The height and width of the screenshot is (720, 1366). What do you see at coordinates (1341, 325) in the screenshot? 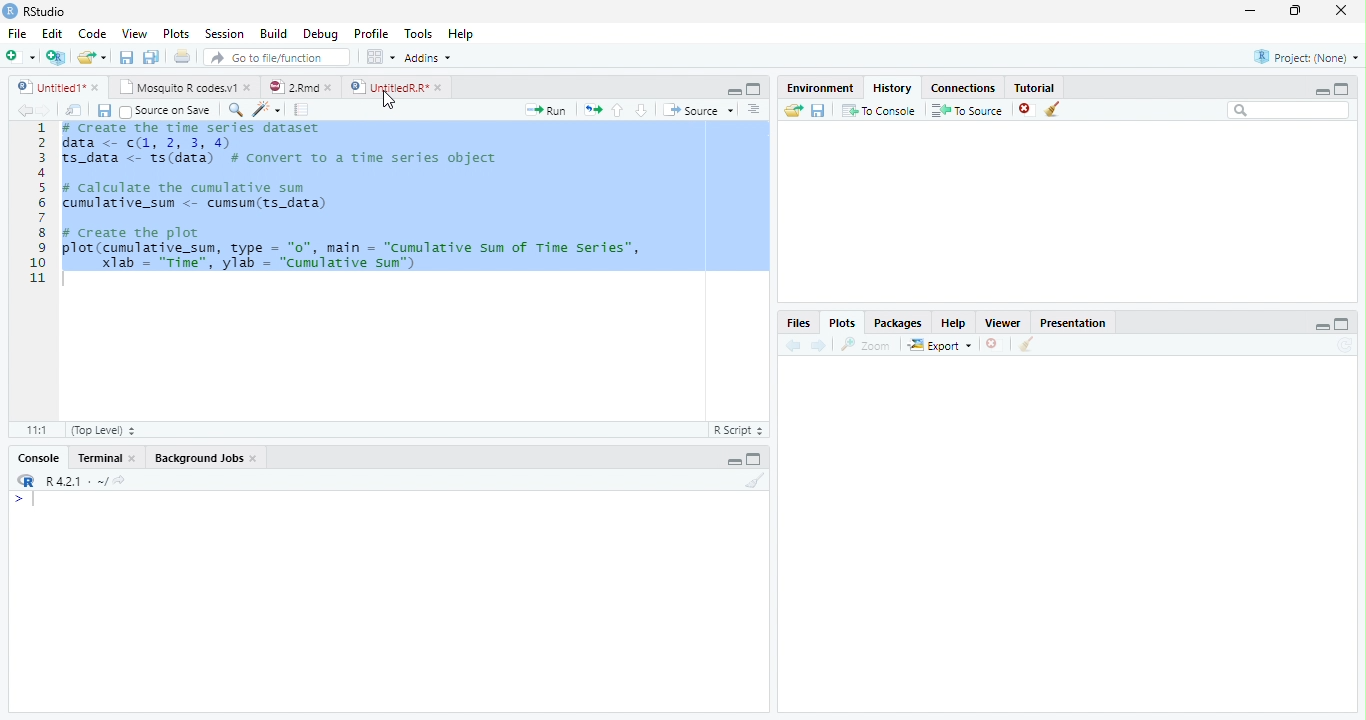
I see `Maximize` at bounding box center [1341, 325].